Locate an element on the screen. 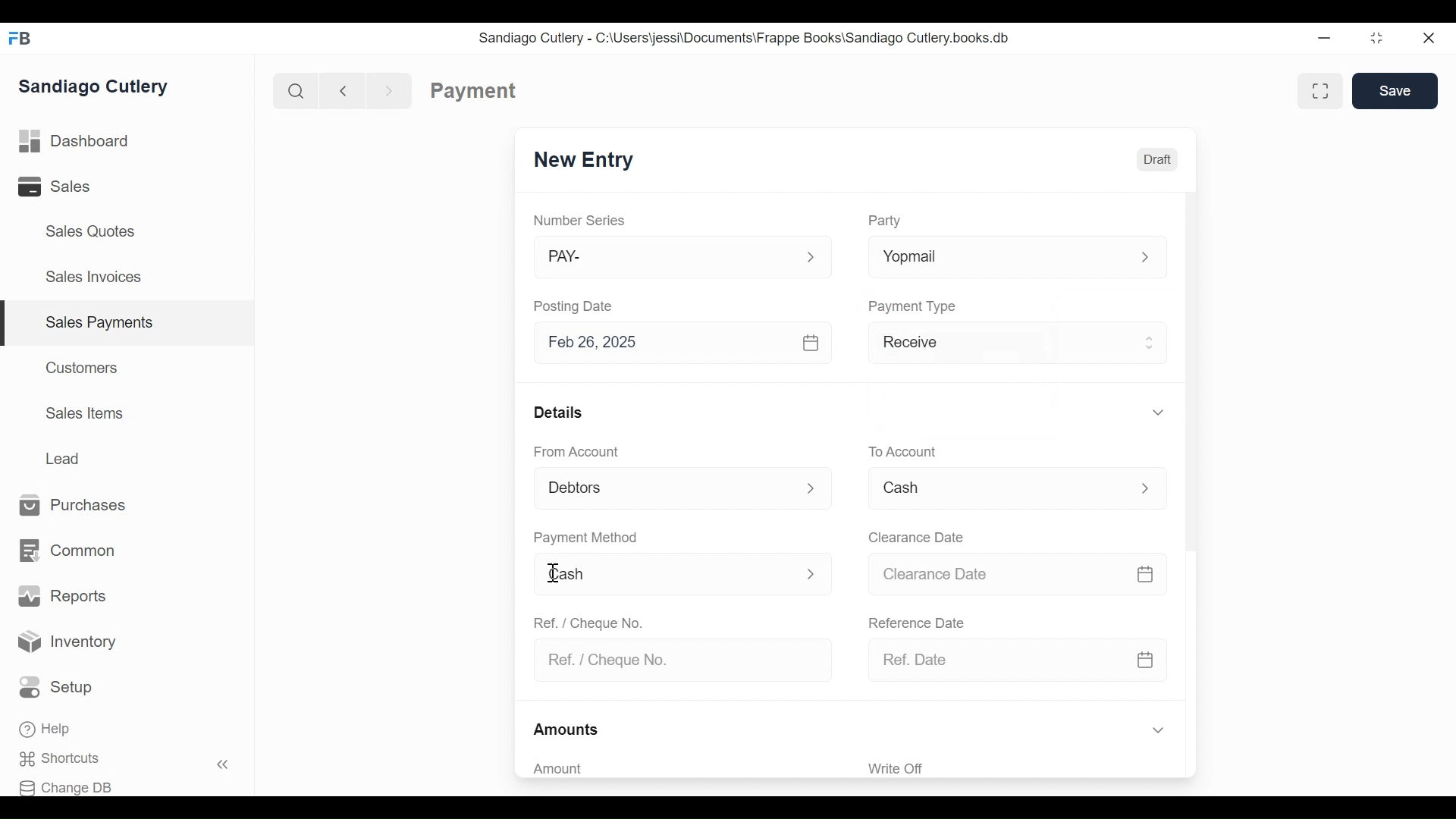 The width and height of the screenshot is (1456, 819). Draft is located at coordinates (1156, 158).